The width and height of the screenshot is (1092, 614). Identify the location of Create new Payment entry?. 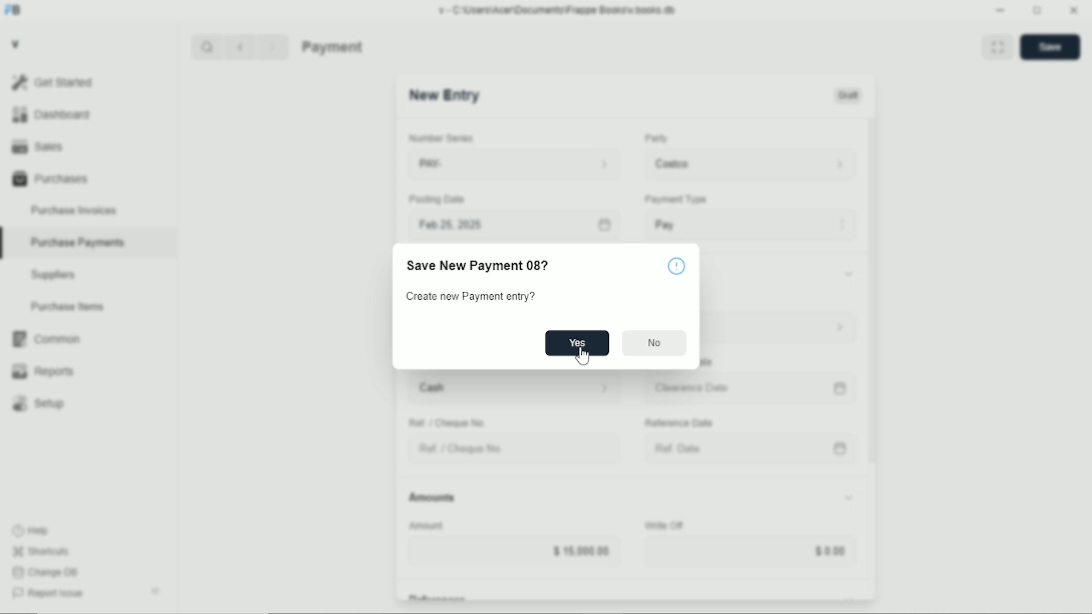
(468, 296).